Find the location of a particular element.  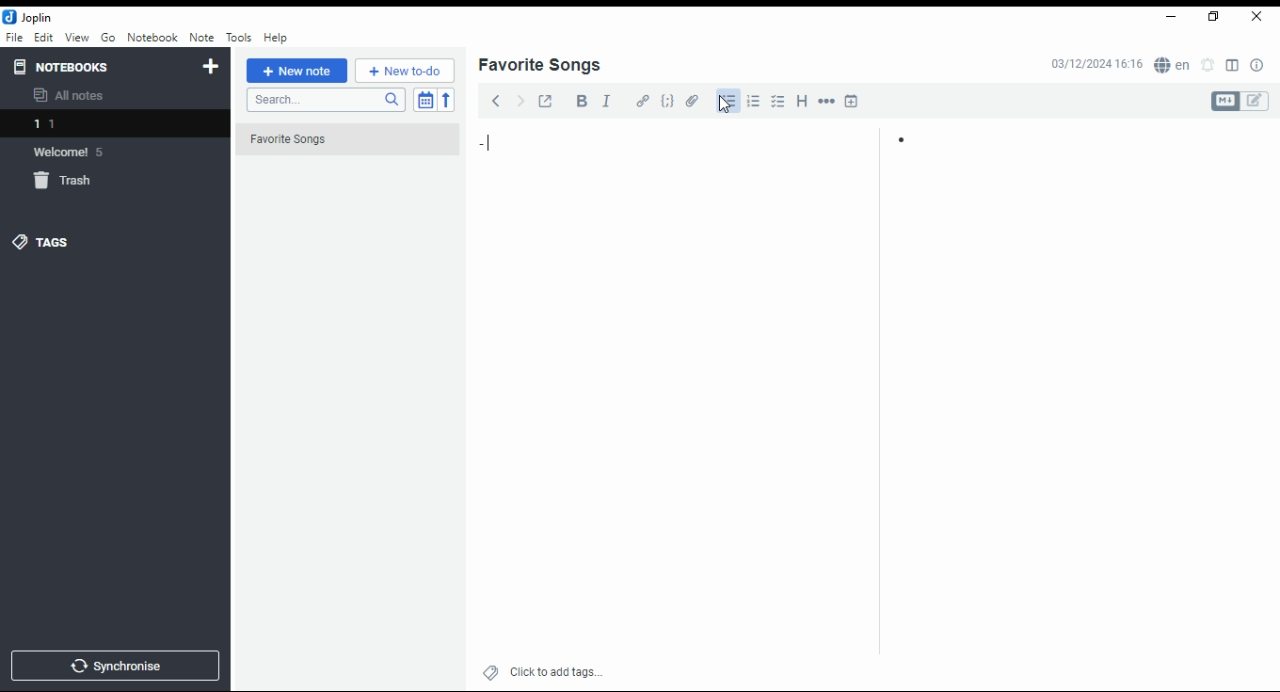

toggle editors is located at coordinates (1240, 101).